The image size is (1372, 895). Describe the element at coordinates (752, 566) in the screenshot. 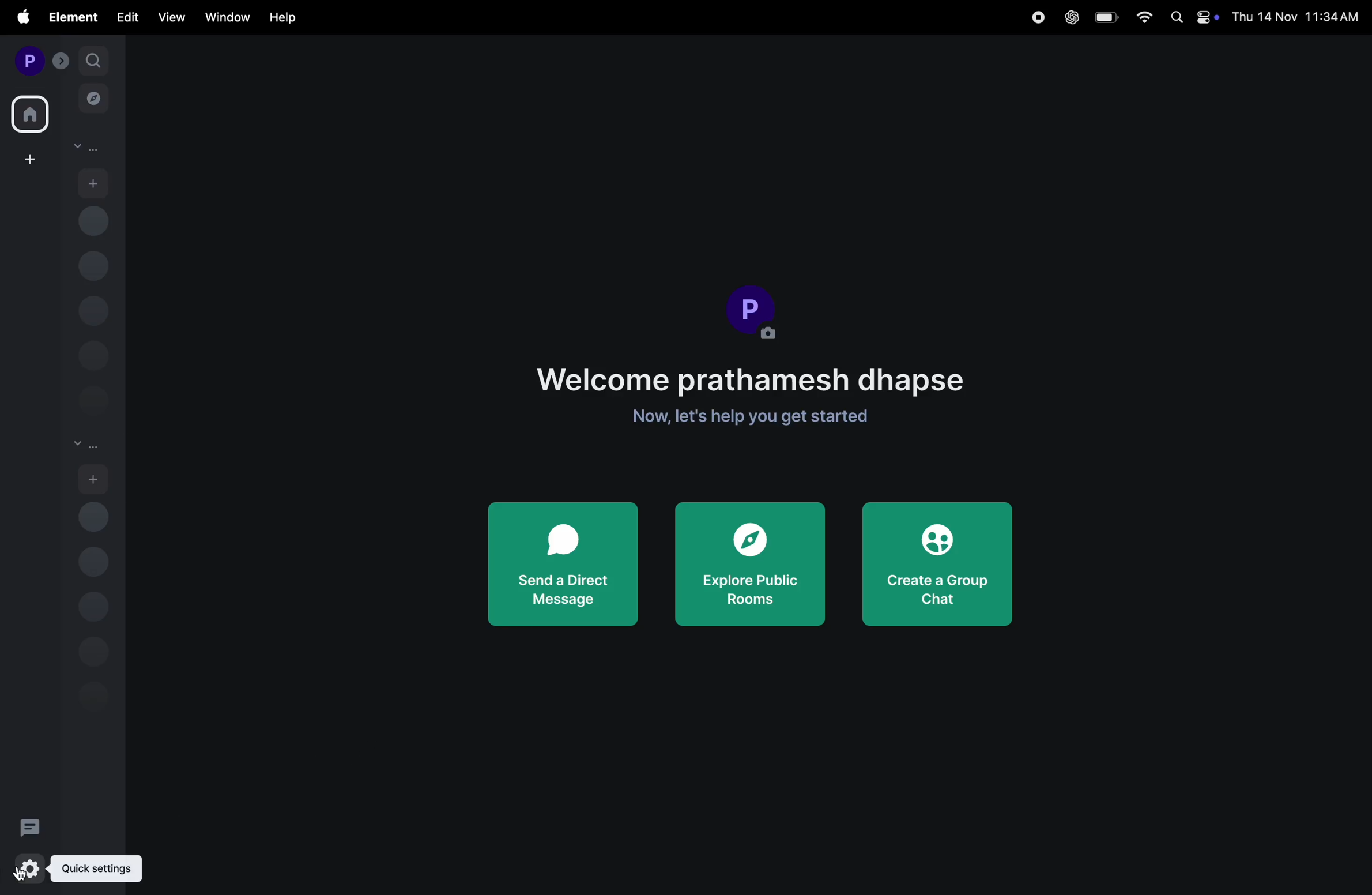

I see `explore public` at that location.